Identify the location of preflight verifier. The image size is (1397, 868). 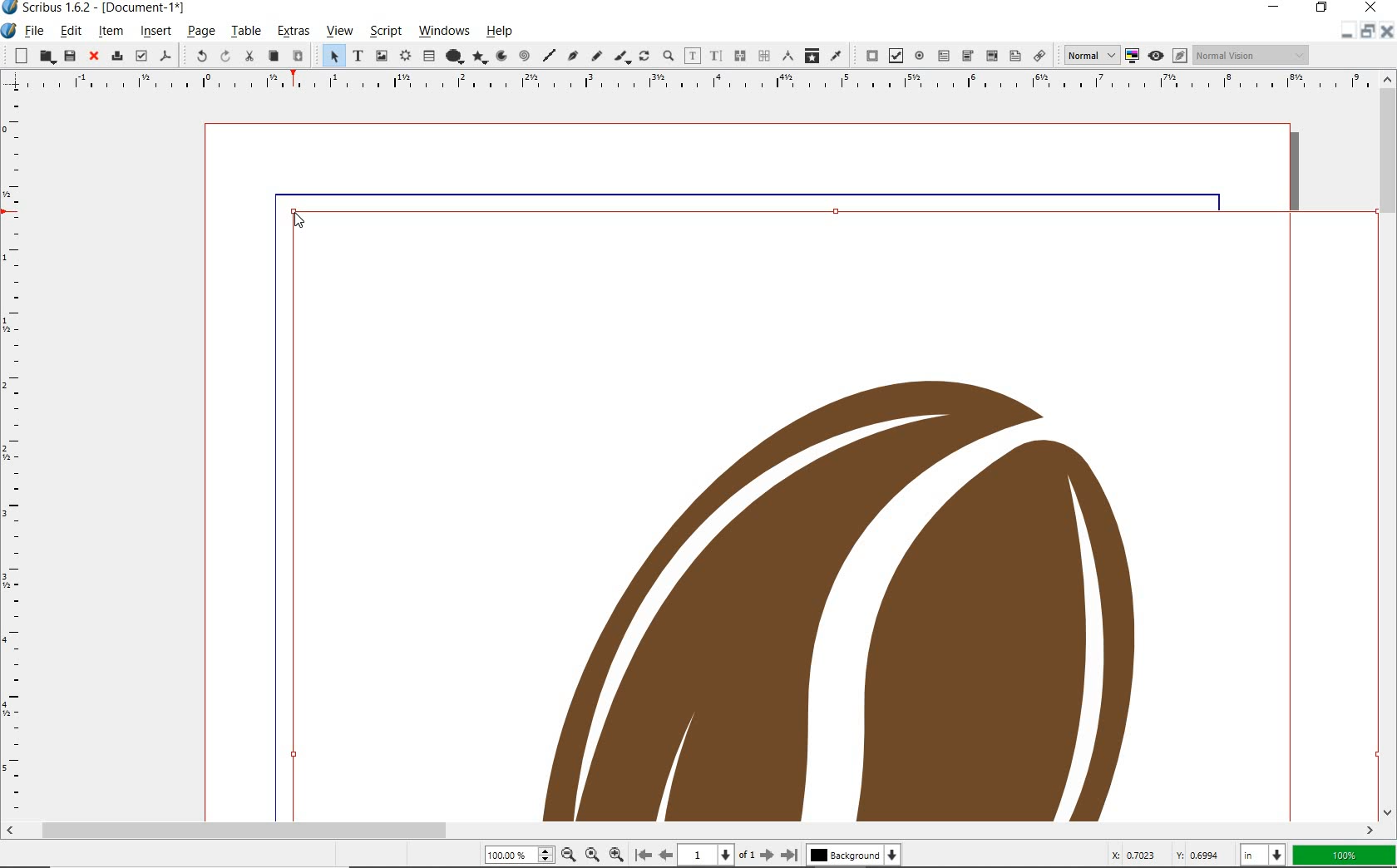
(141, 57).